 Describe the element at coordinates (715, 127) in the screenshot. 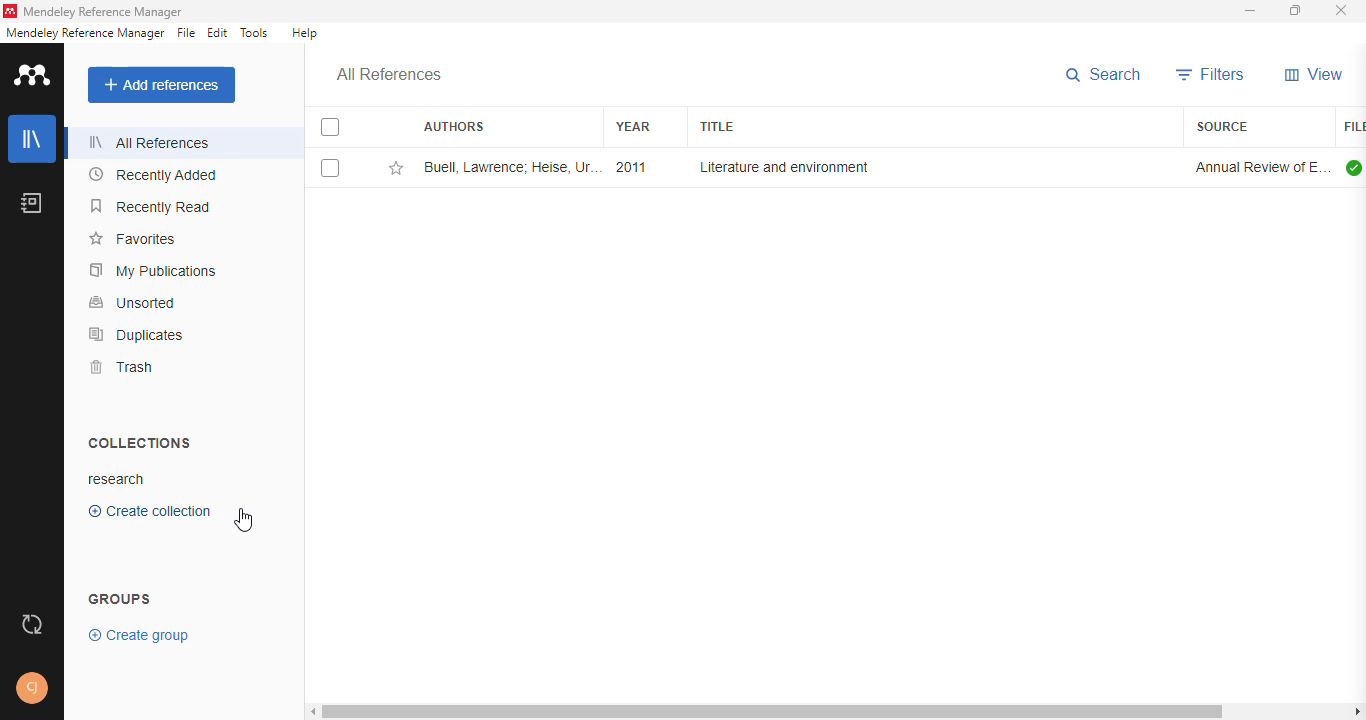

I see `title` at that location.